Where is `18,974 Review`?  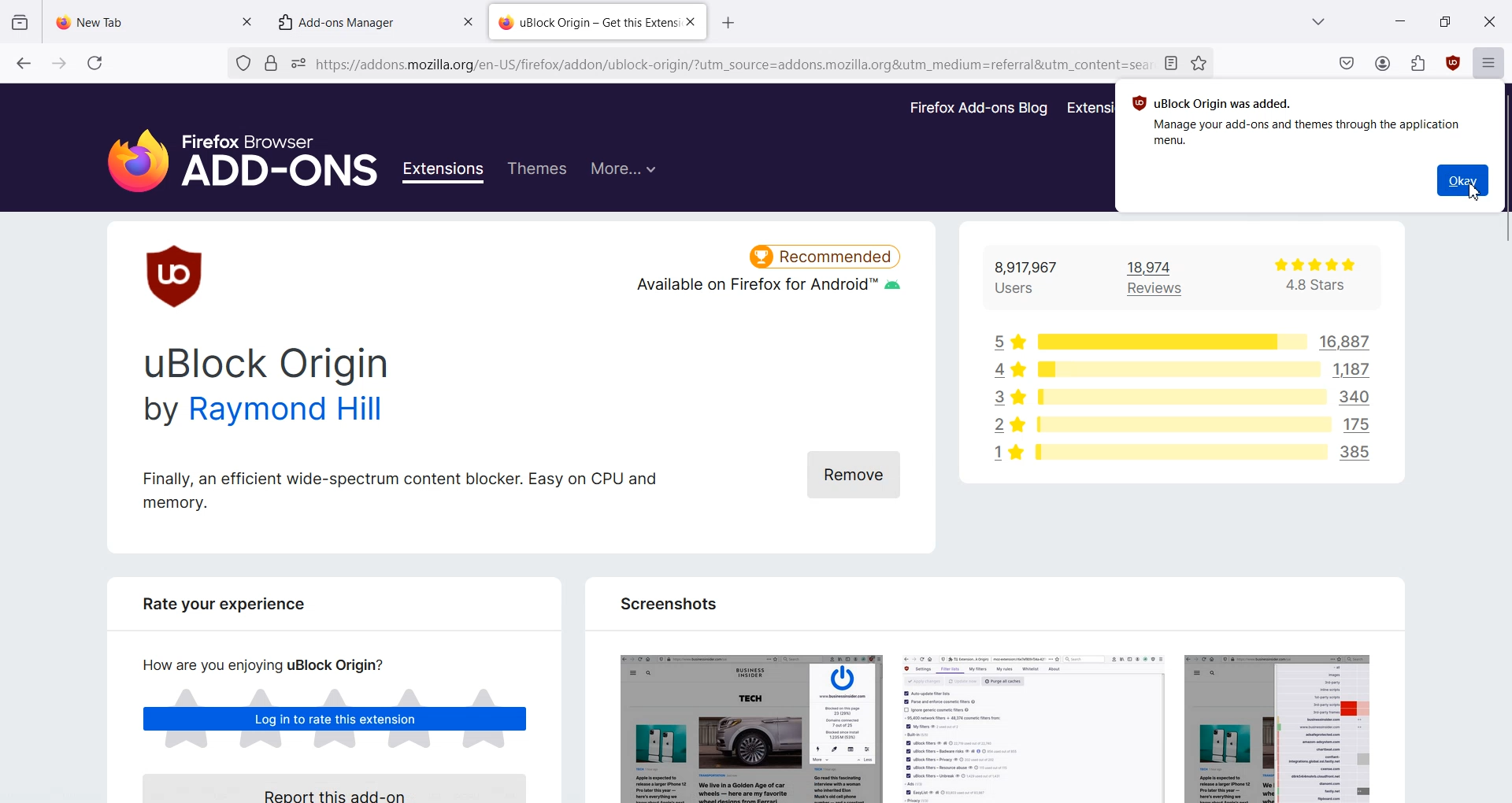 18,974 Review is located at coordinates (1165, 277).